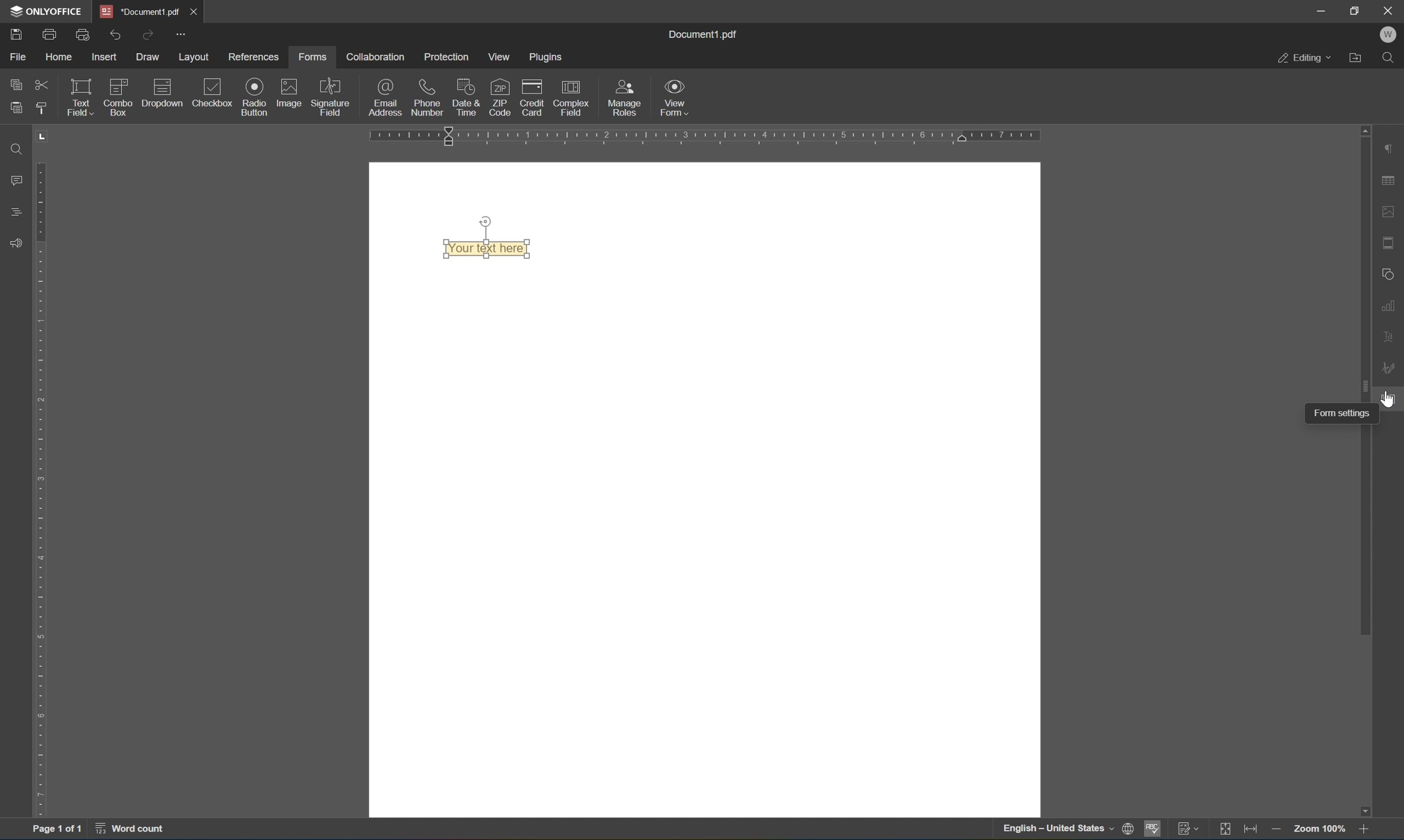  I want to click on set document language, so click(1132, 830).